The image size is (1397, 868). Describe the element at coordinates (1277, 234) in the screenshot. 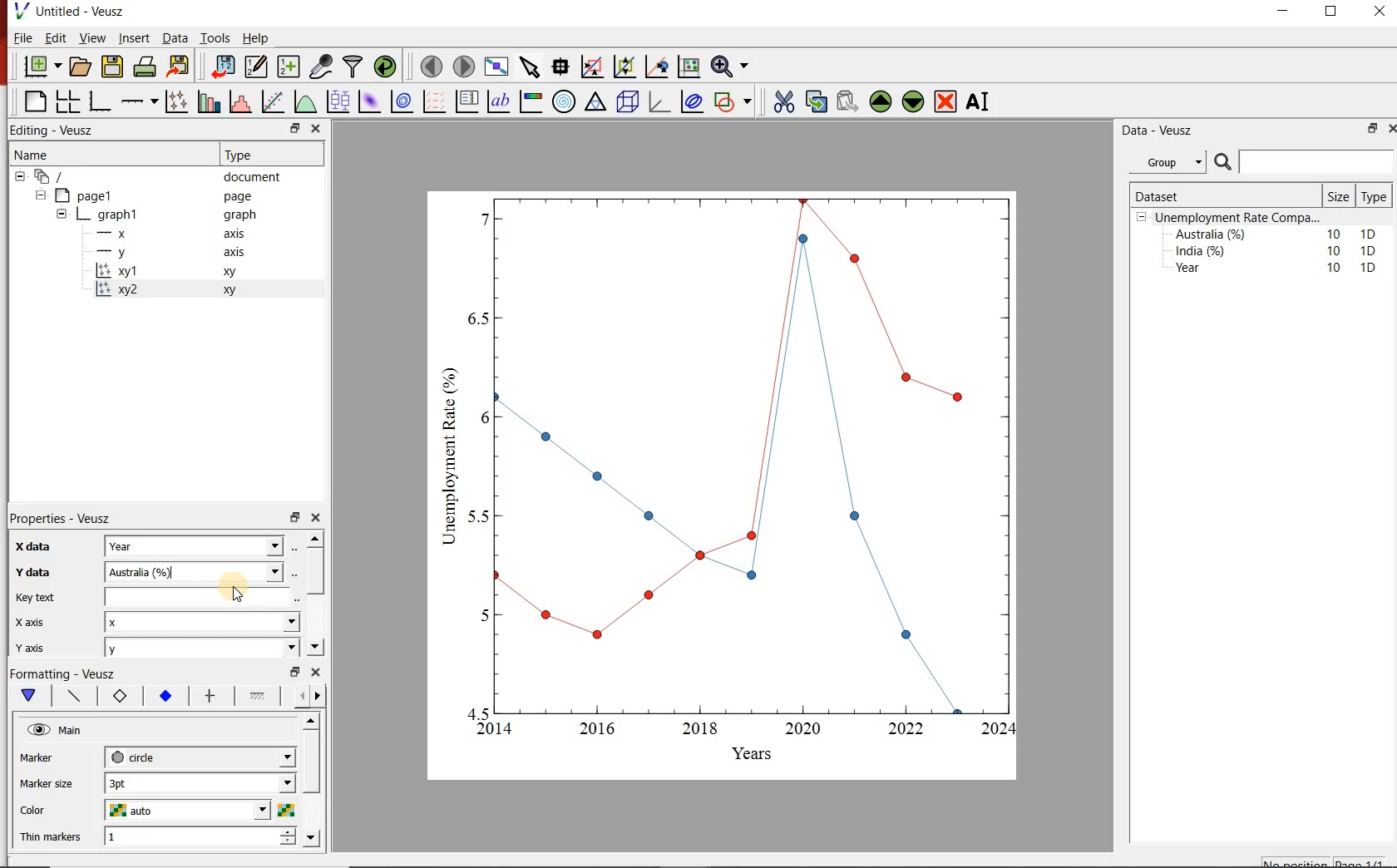

I see `Australia (%) 10 1D` at that location.